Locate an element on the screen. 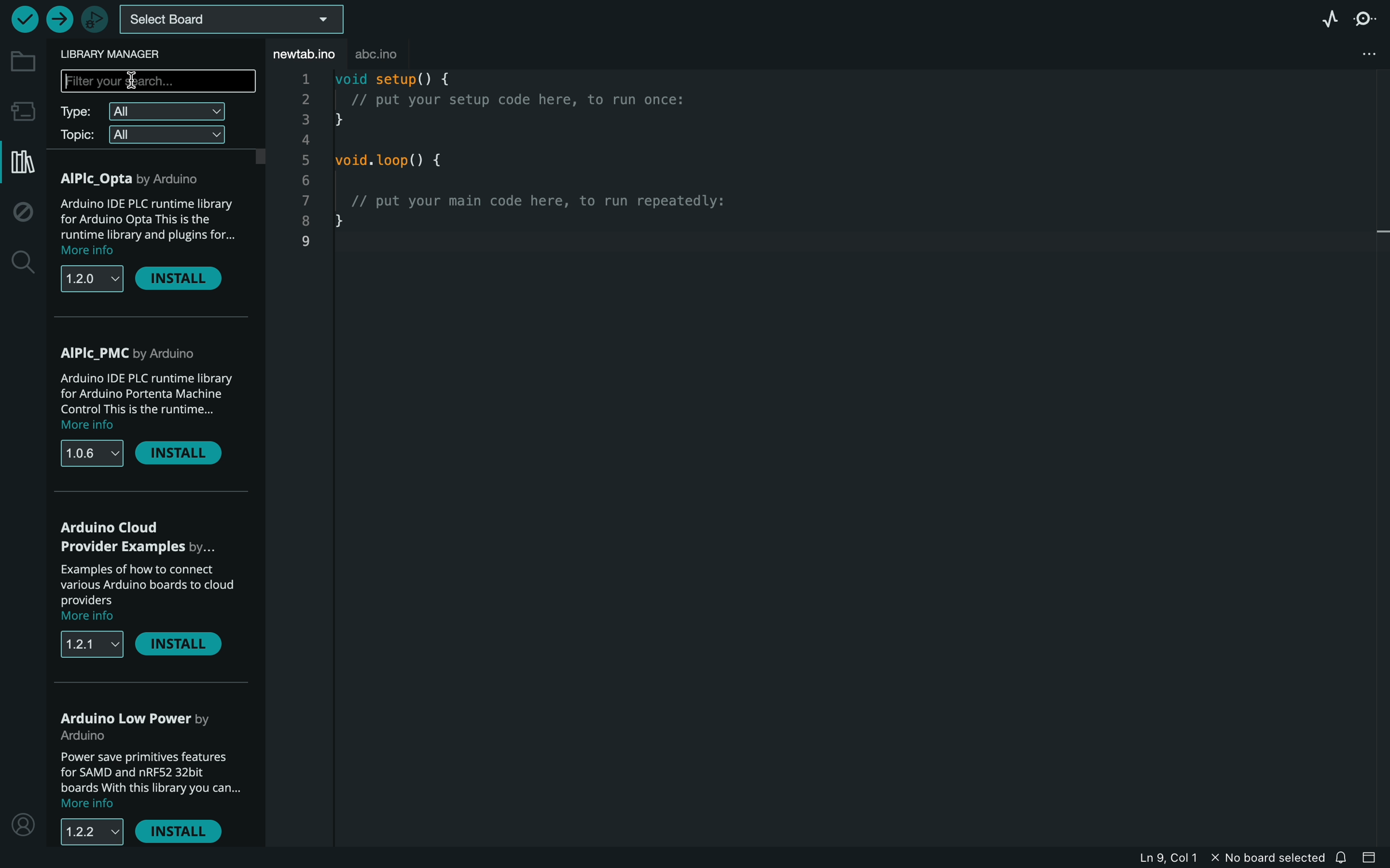 Image resolution: width=1390 pixels, height=868 pixels. description is located at coordinates (152, 778).